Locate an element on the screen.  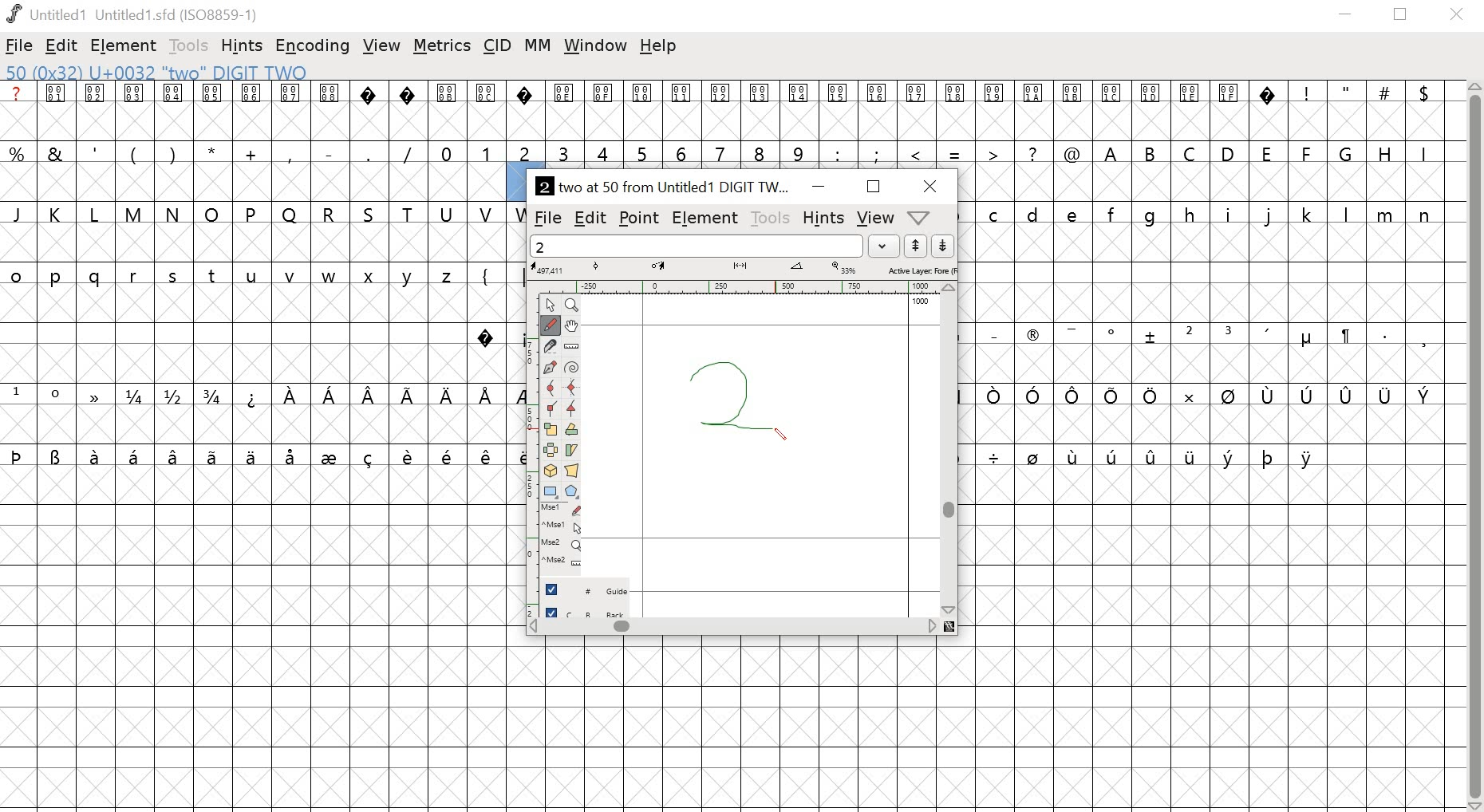
rotate is located at coordinates (571, 429).